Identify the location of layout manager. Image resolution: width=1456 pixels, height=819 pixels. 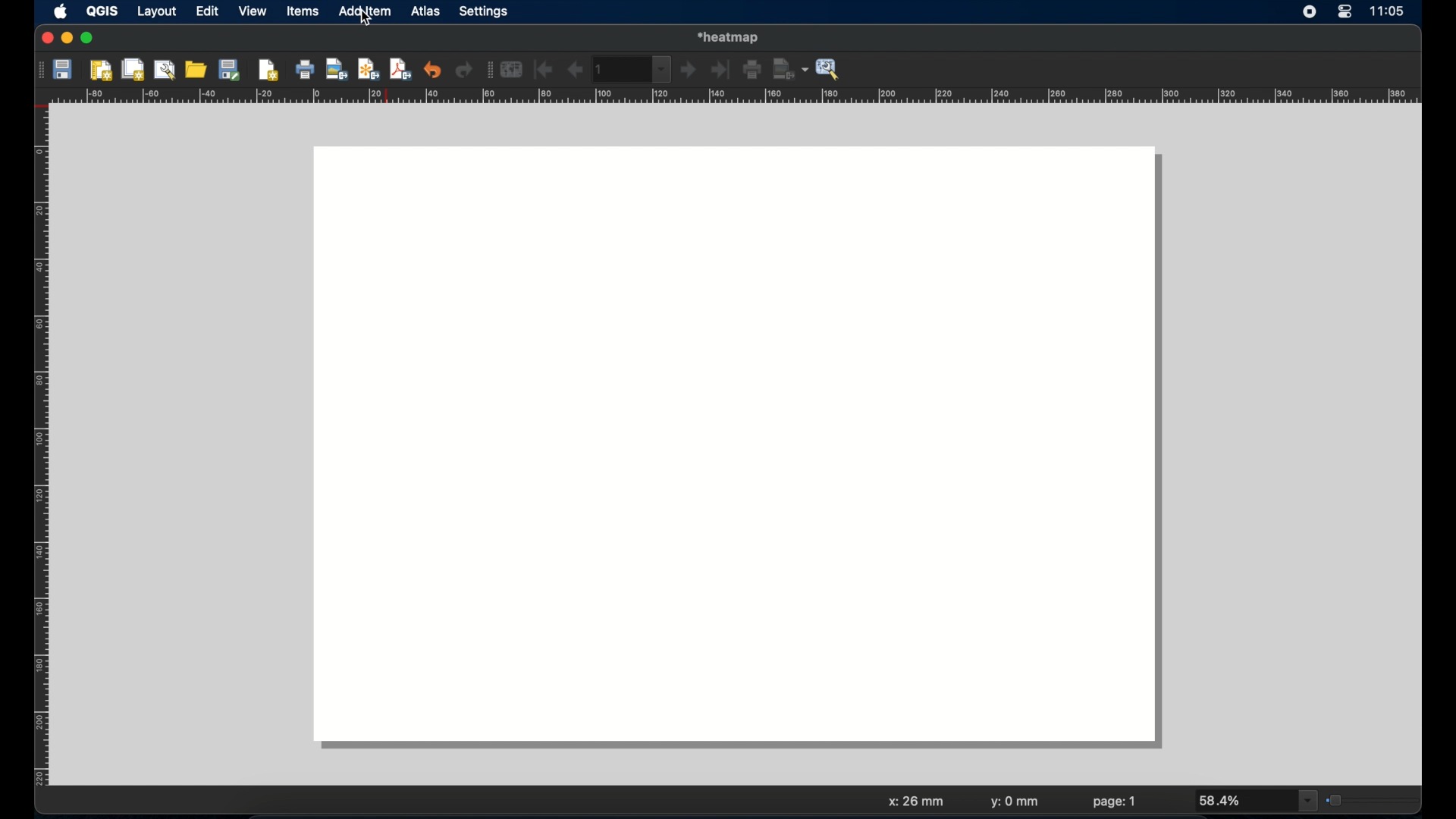
(166, 70).